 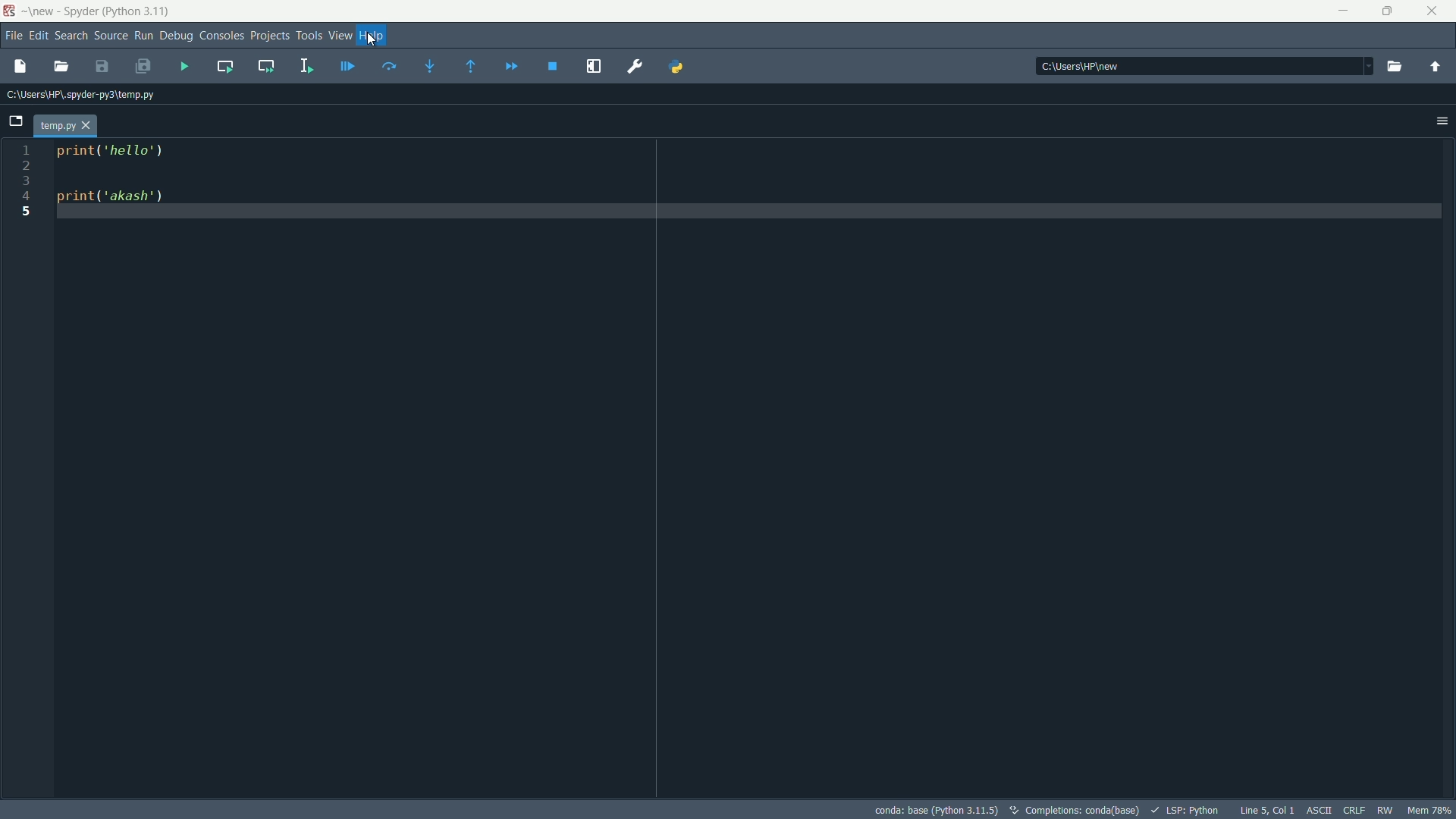 I want to click on run current cell and go to the next one, so click(x=266, y=64).